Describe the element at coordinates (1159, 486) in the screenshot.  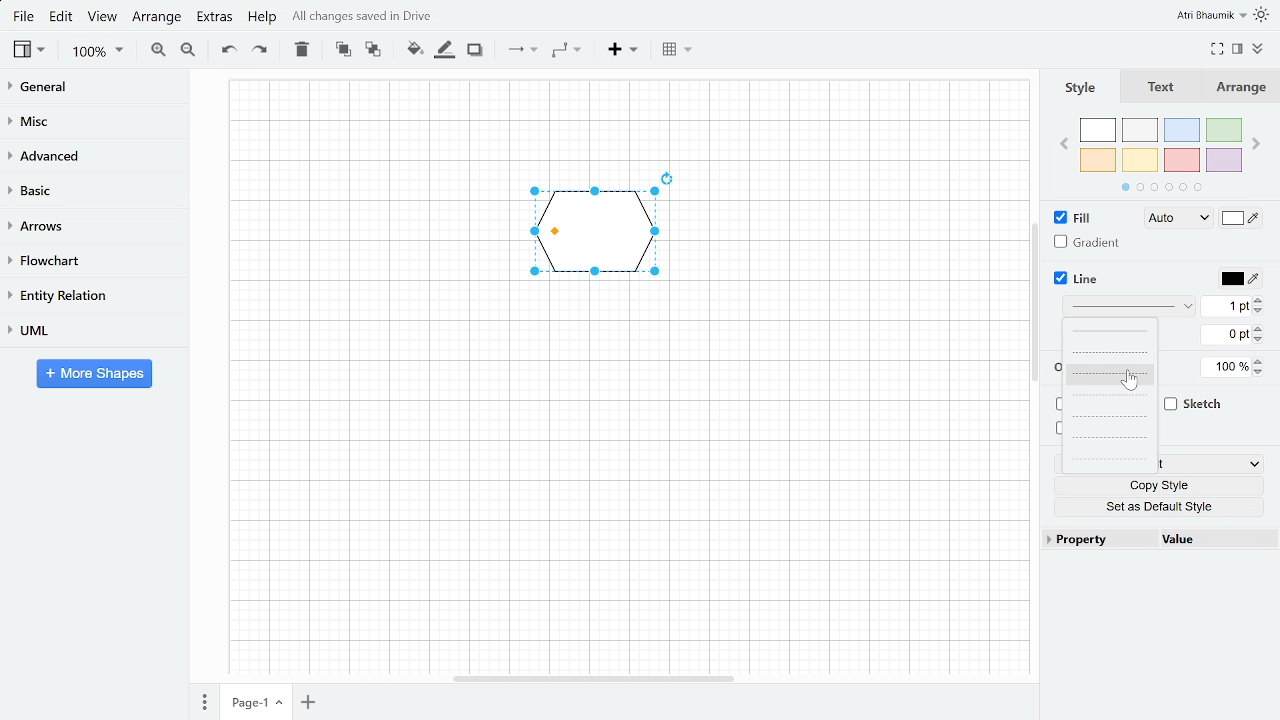
I see `Copy style` at that location.